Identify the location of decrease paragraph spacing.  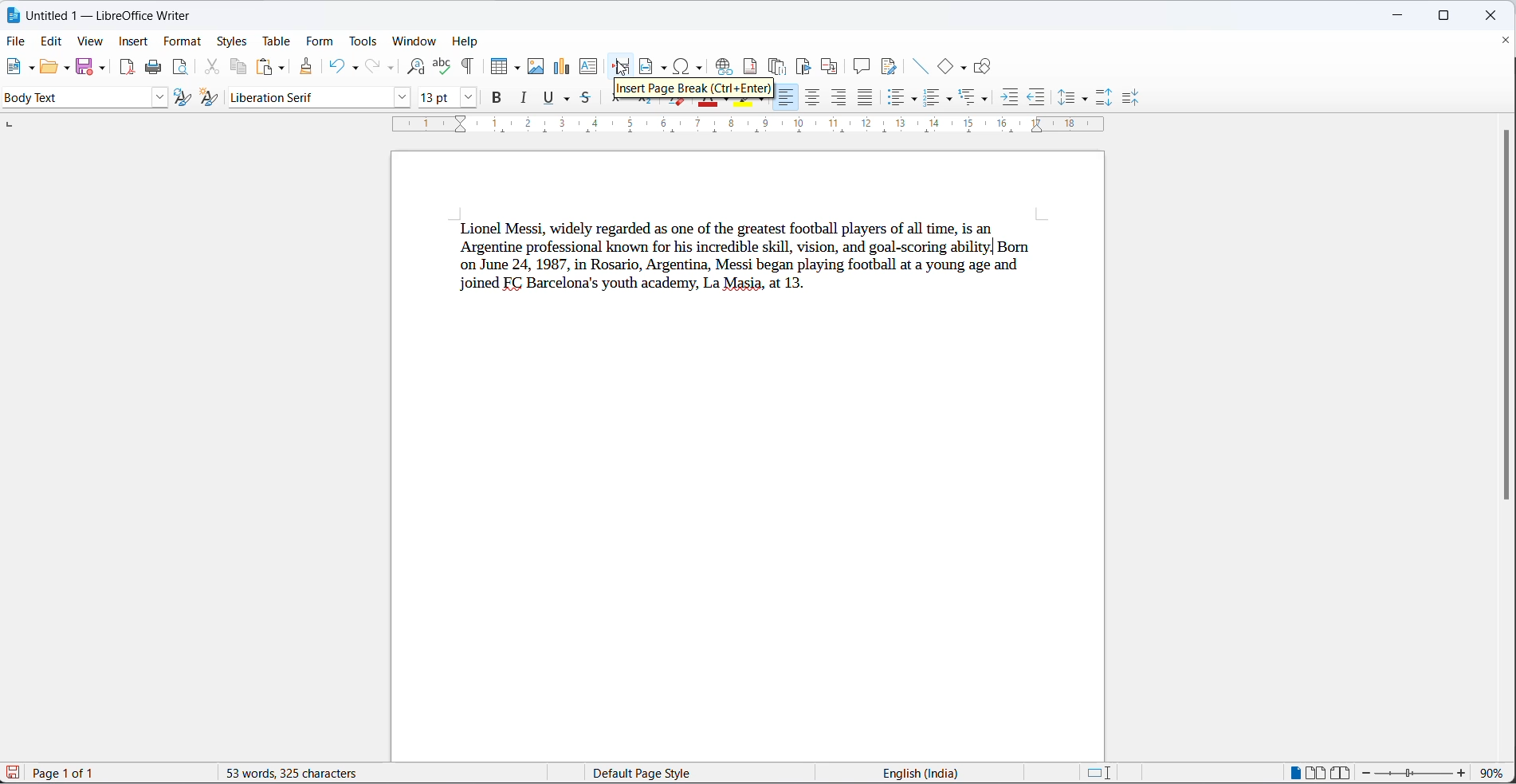
(1135, 97).